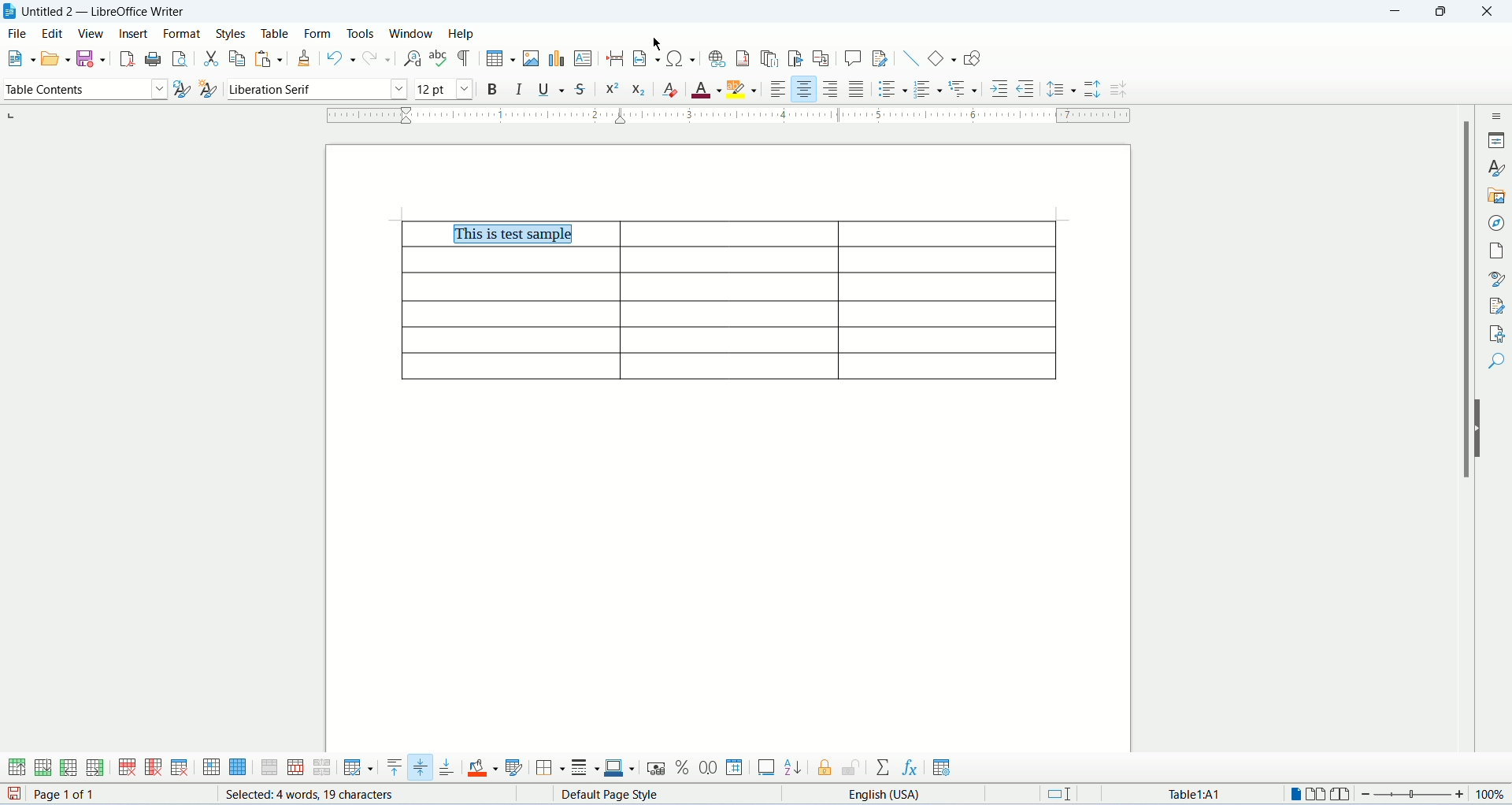 The height and width of the screenshot is (805, 1512). I want to click on character highlighting, so click(741, 88).